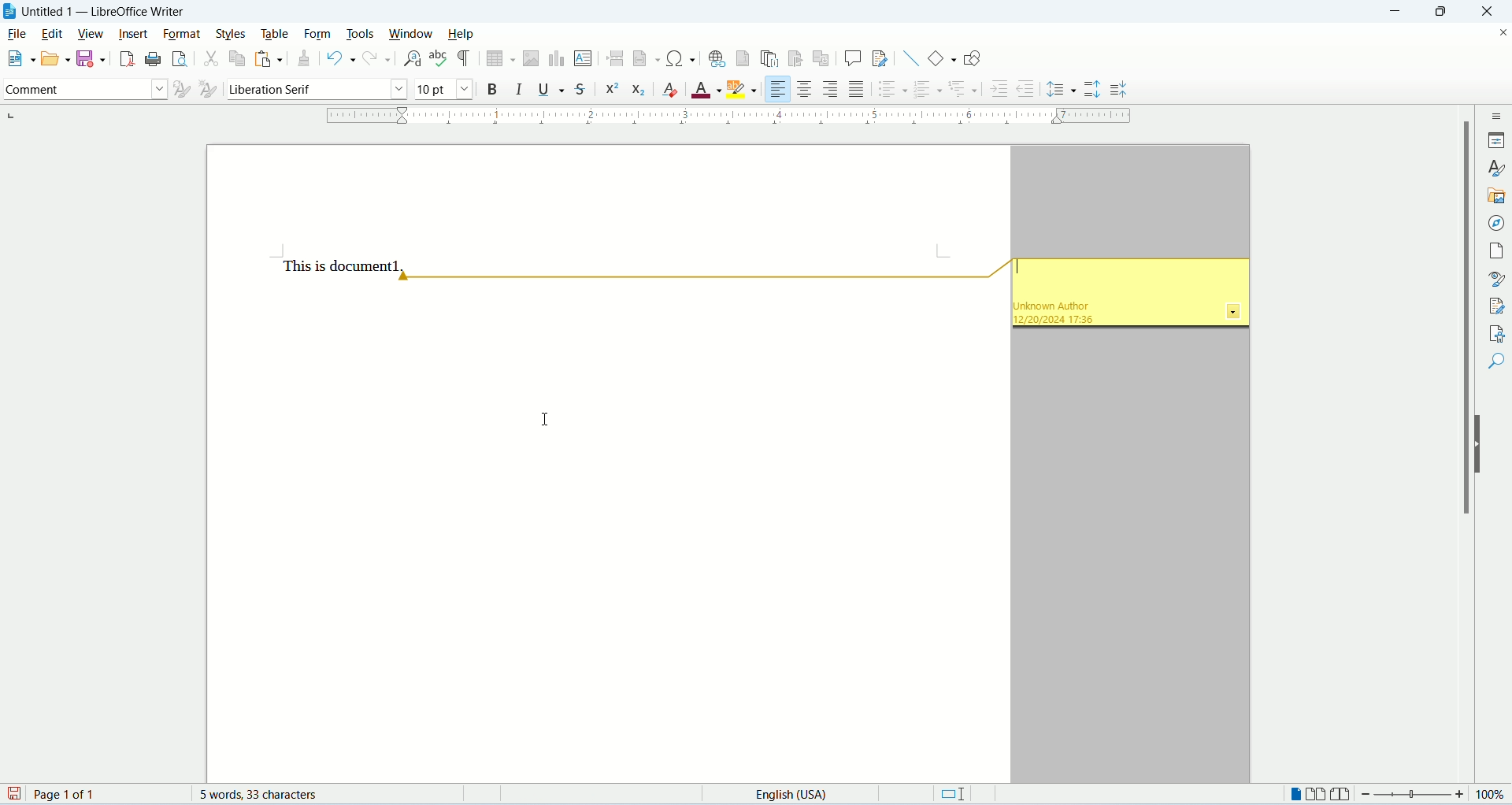 The width and height of the screenshot is (1512, 805). Describe the element at coordinates (1495, 250) in the screenshot. I see `pages` at that location.